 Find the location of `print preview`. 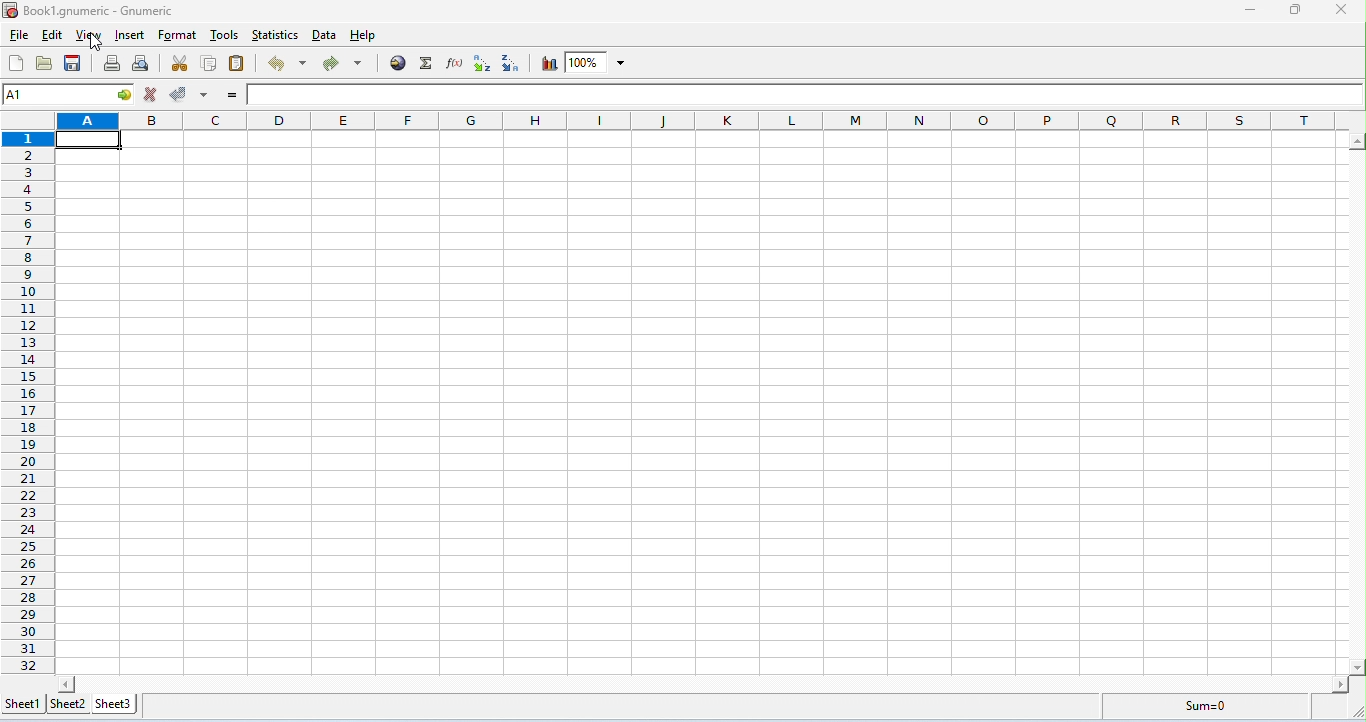

print preview is located at coordinates (143, 63).